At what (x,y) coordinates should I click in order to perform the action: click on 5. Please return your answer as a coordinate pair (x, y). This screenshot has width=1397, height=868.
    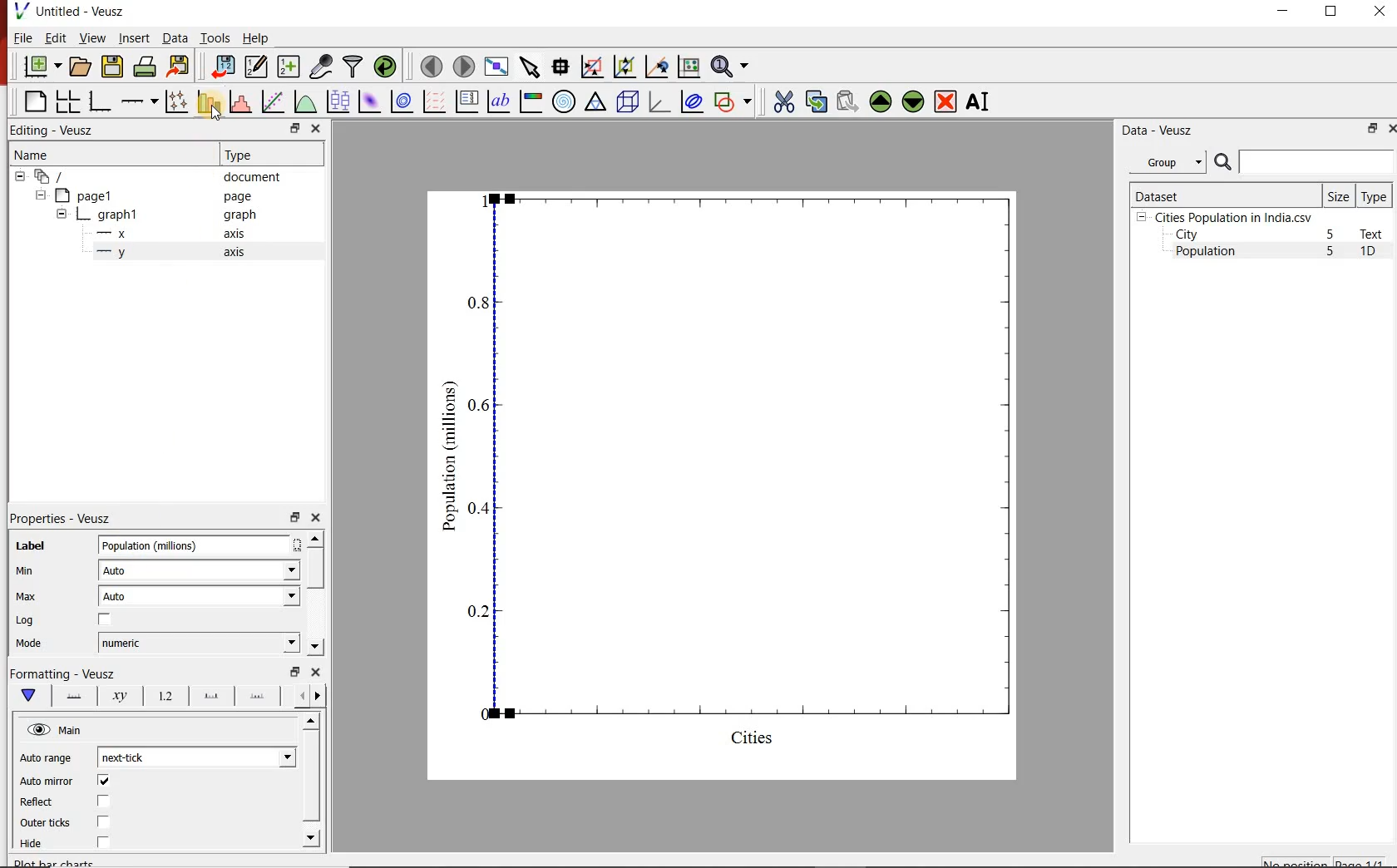
    Looking at the image, I should click on (1331, 252).